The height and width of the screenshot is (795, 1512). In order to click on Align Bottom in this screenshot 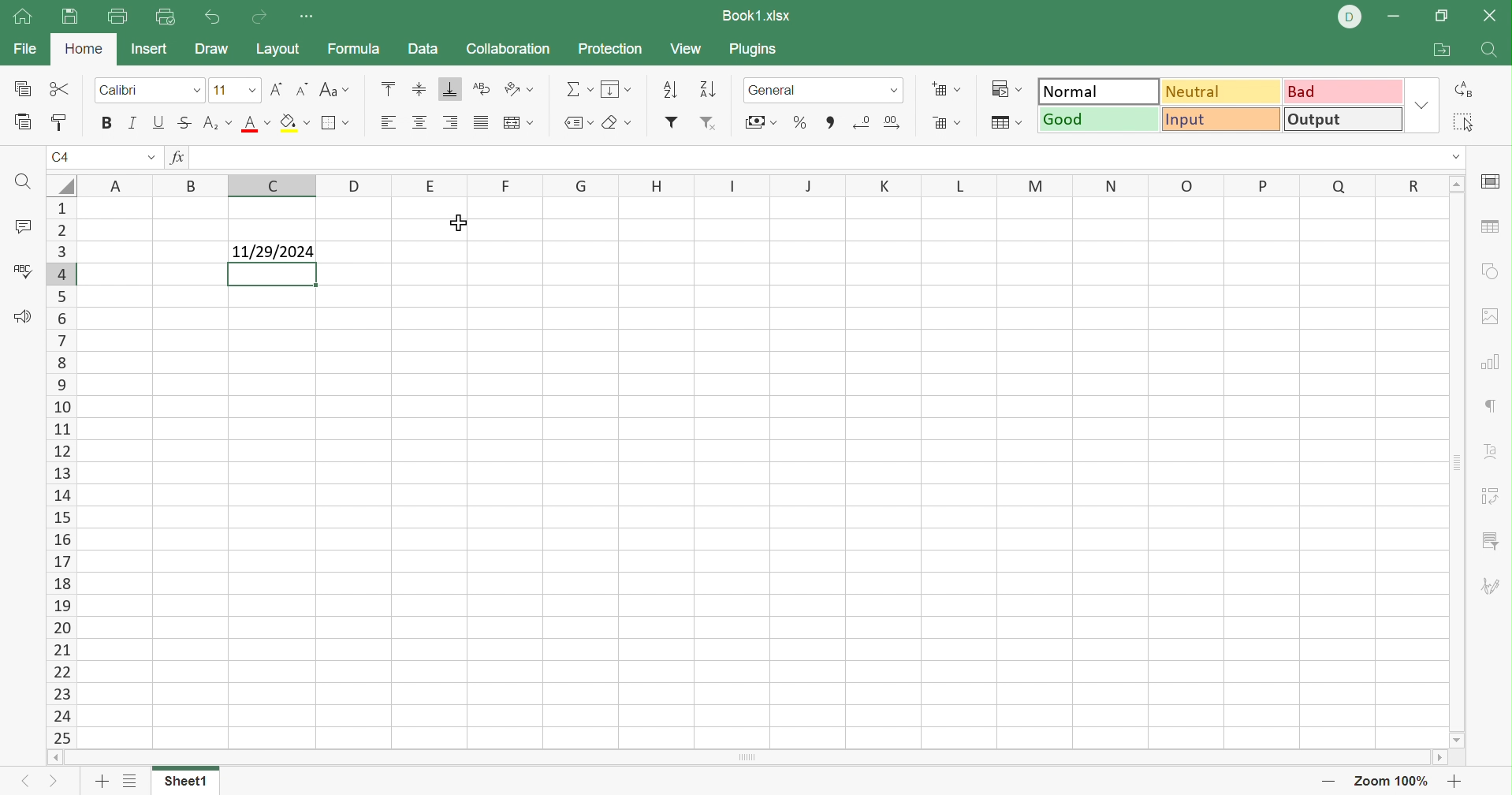, I will do `click(450, 88)`.